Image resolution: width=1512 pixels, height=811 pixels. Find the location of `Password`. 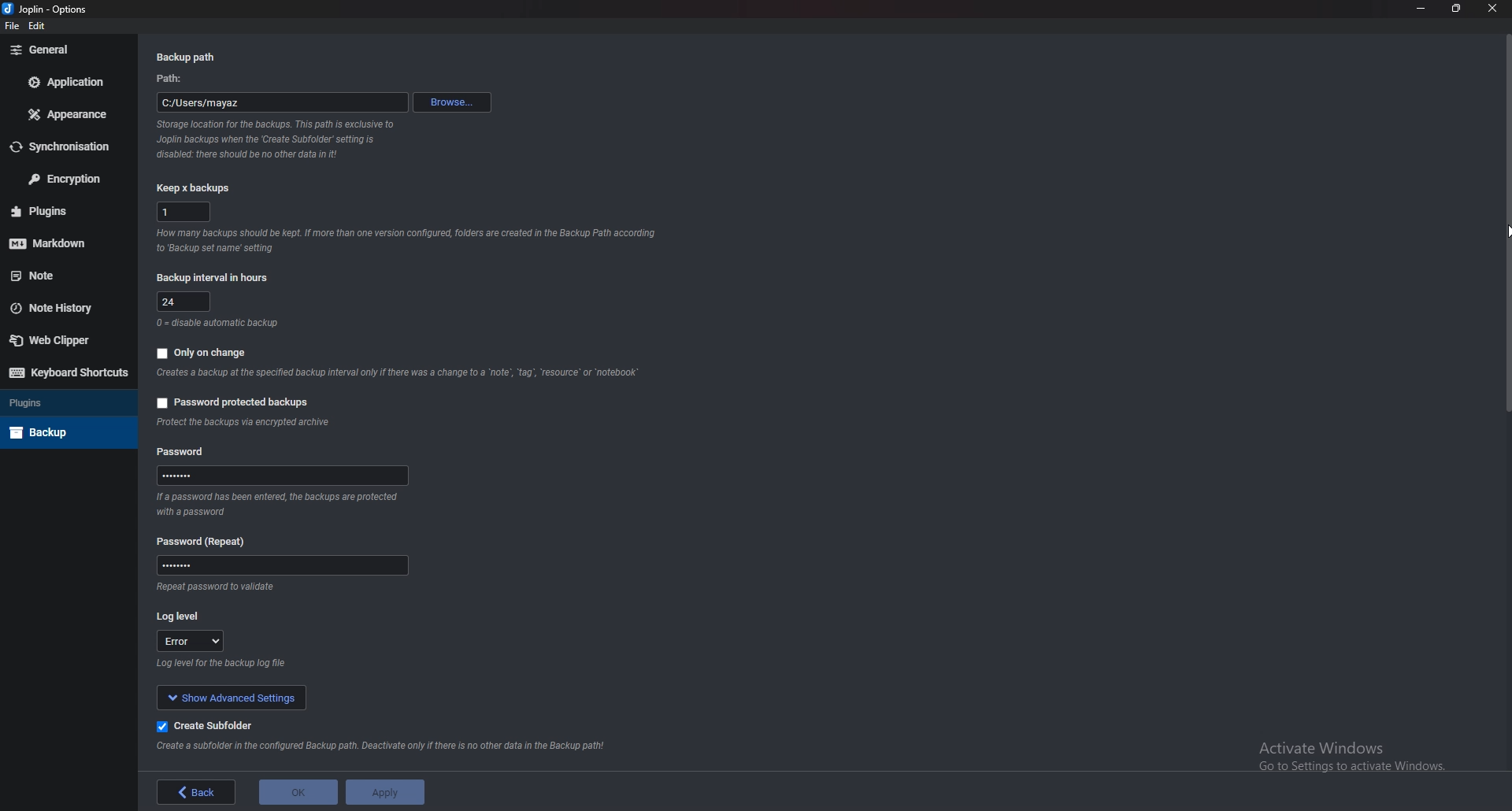

Password is located at coordinates (281, 566).